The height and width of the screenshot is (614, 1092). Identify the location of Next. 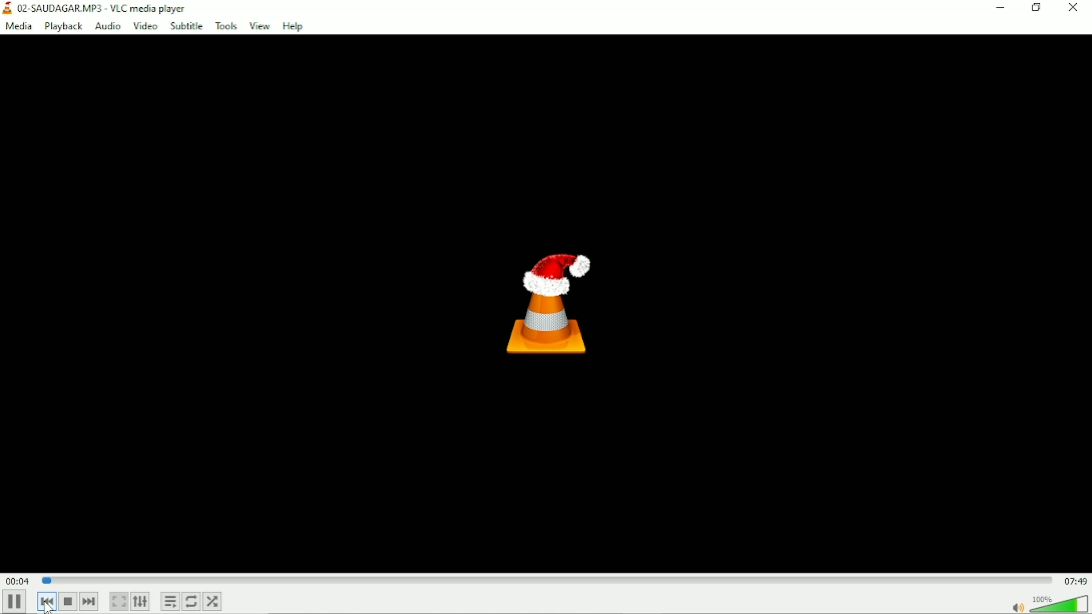
(90, 601).